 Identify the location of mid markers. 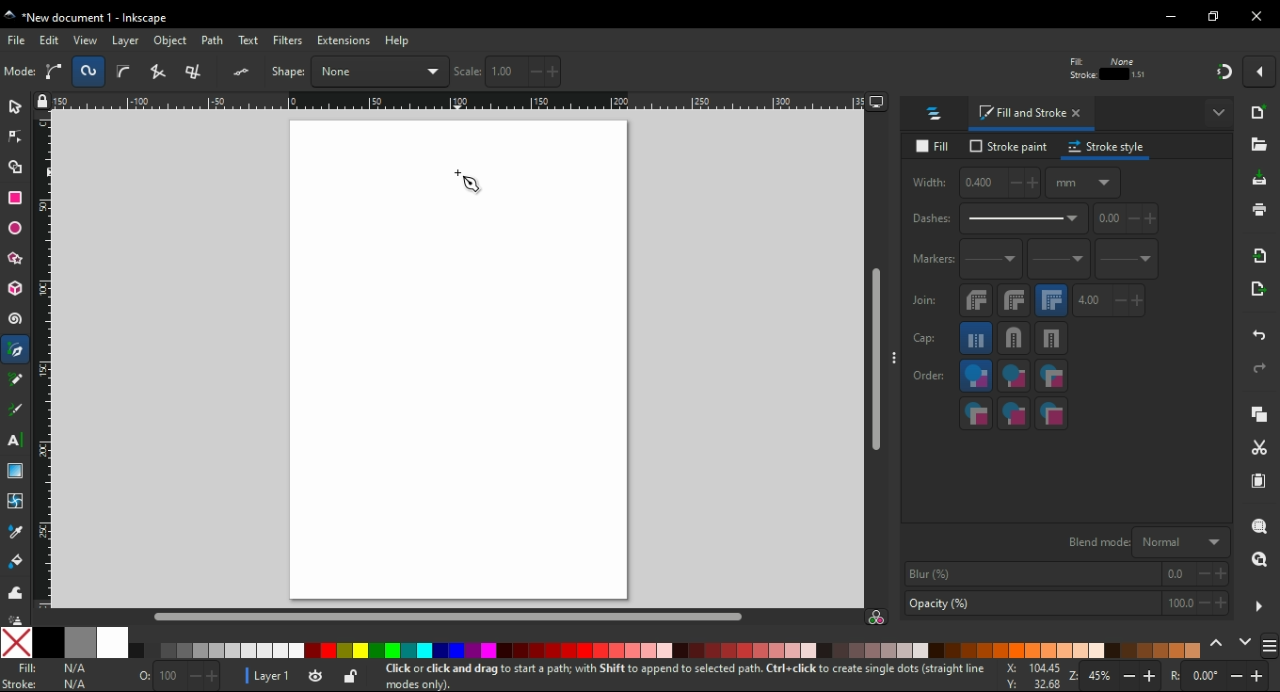
(1058, 260).